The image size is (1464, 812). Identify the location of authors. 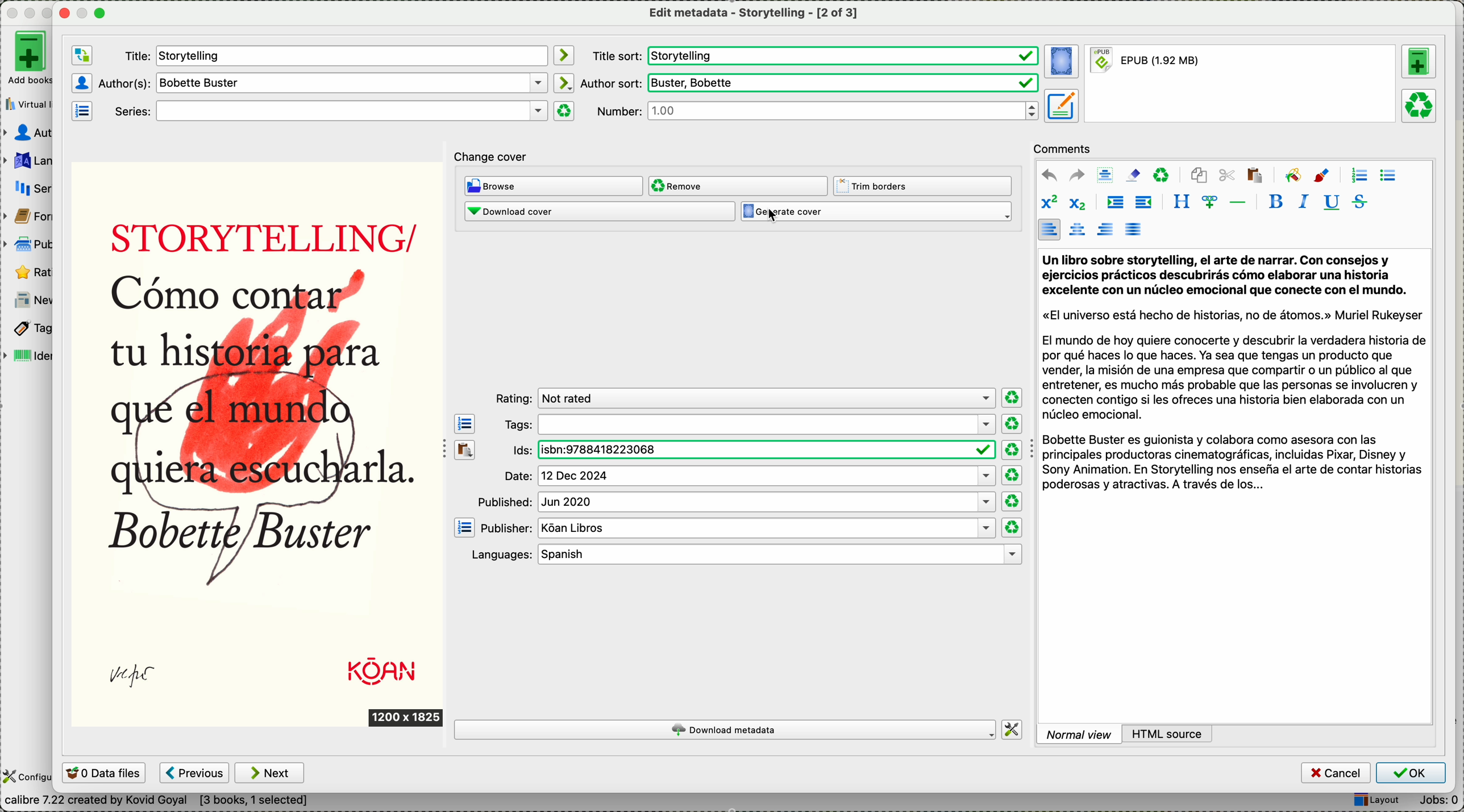
(321, 84).